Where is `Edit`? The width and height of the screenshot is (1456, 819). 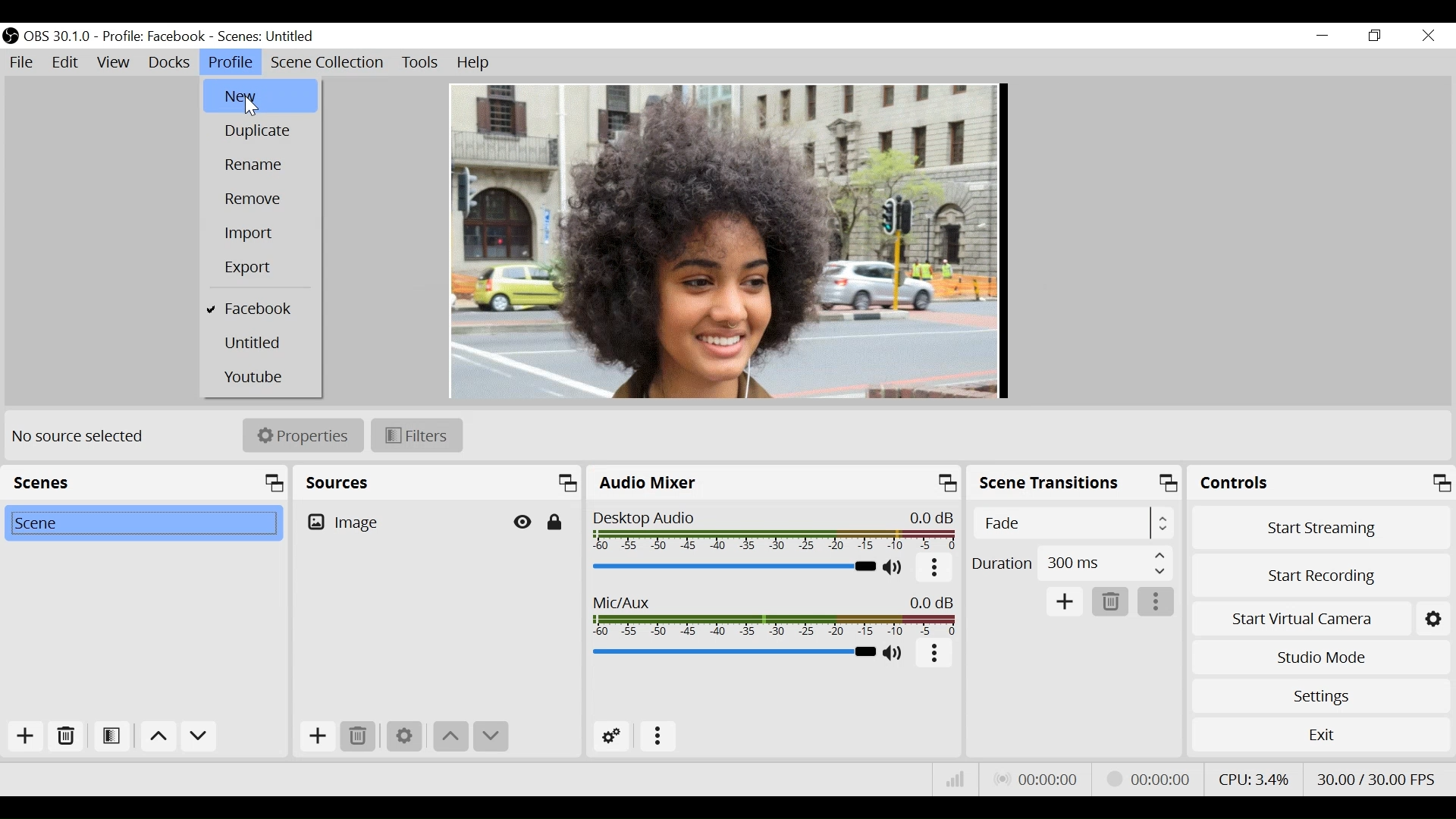 Edit is located at coordinates (67, 63).